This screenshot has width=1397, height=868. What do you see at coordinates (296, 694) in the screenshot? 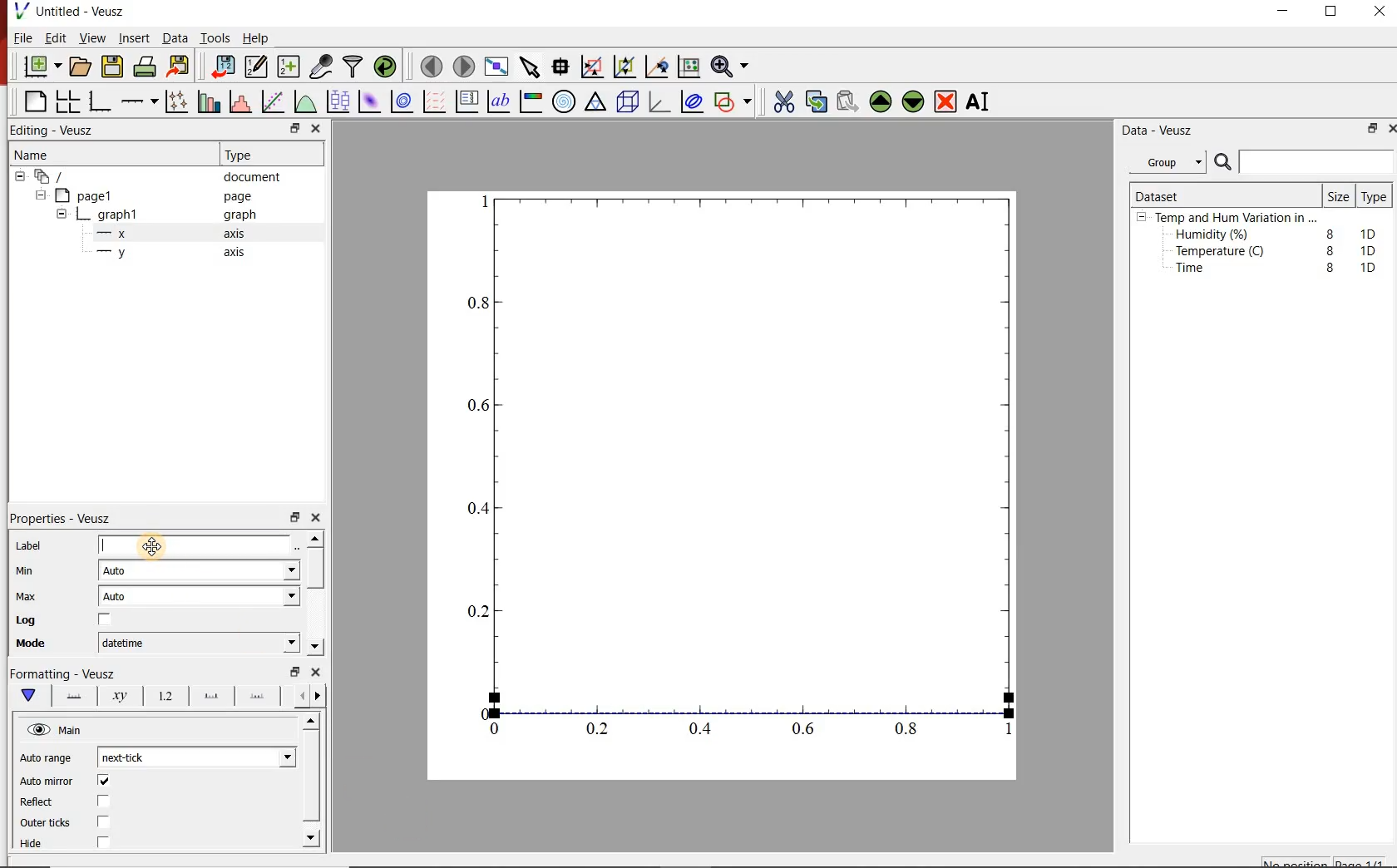
I see `go back` at bounding box center [296, 694].